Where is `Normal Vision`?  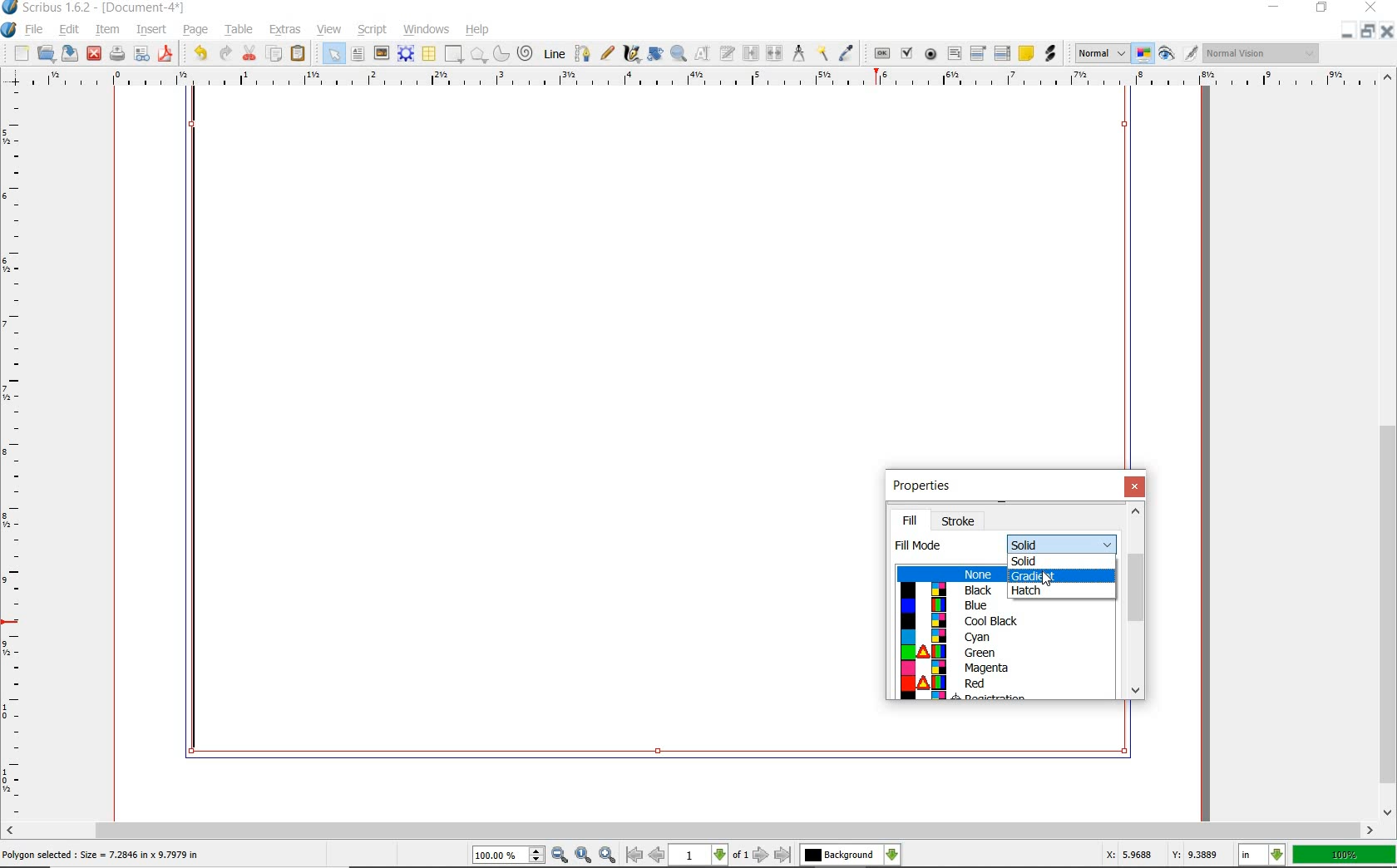 Normal Vision is located at coordinates (1261, 52).